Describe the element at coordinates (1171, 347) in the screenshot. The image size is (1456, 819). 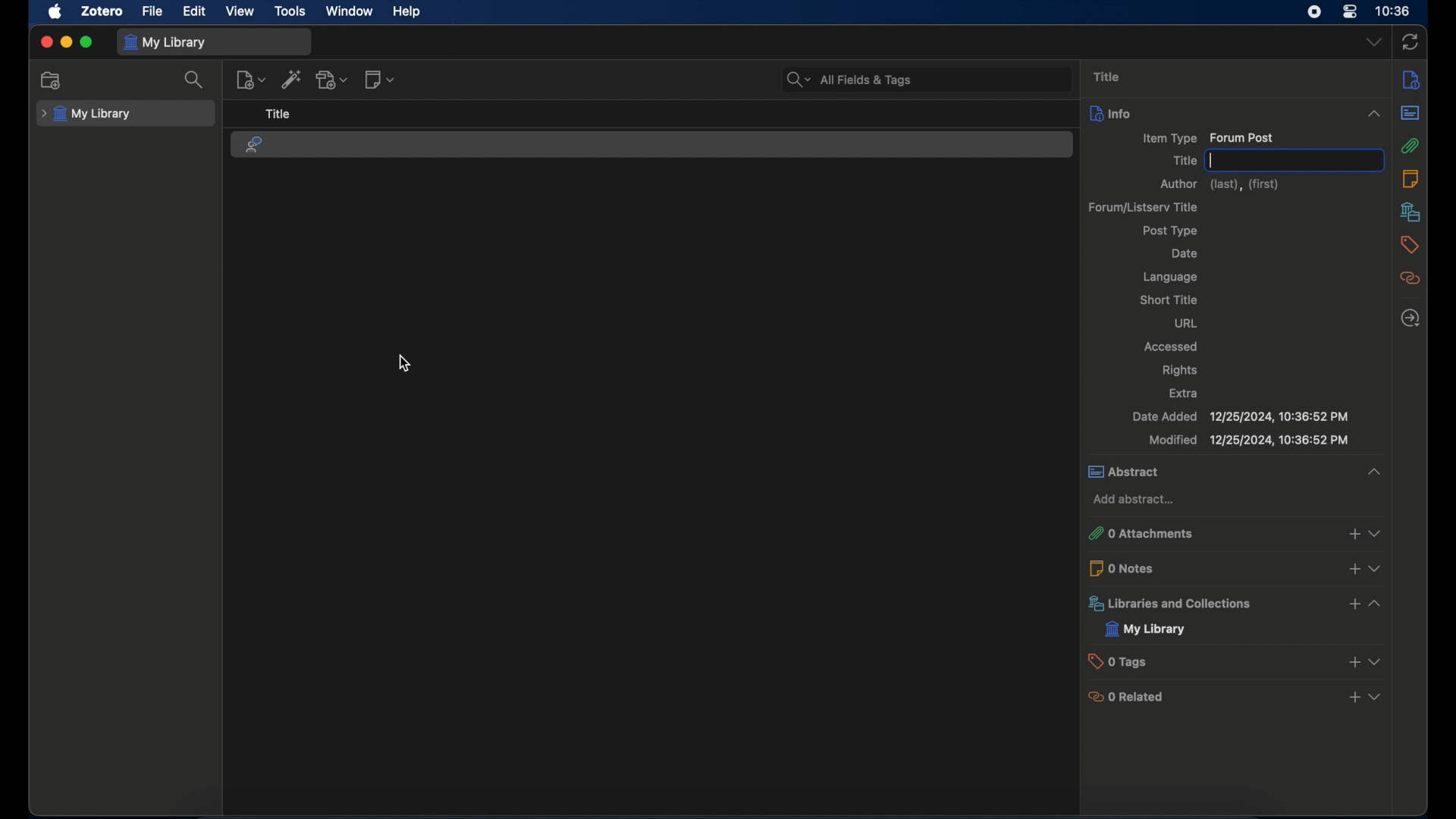
I see `accessed` at that location.